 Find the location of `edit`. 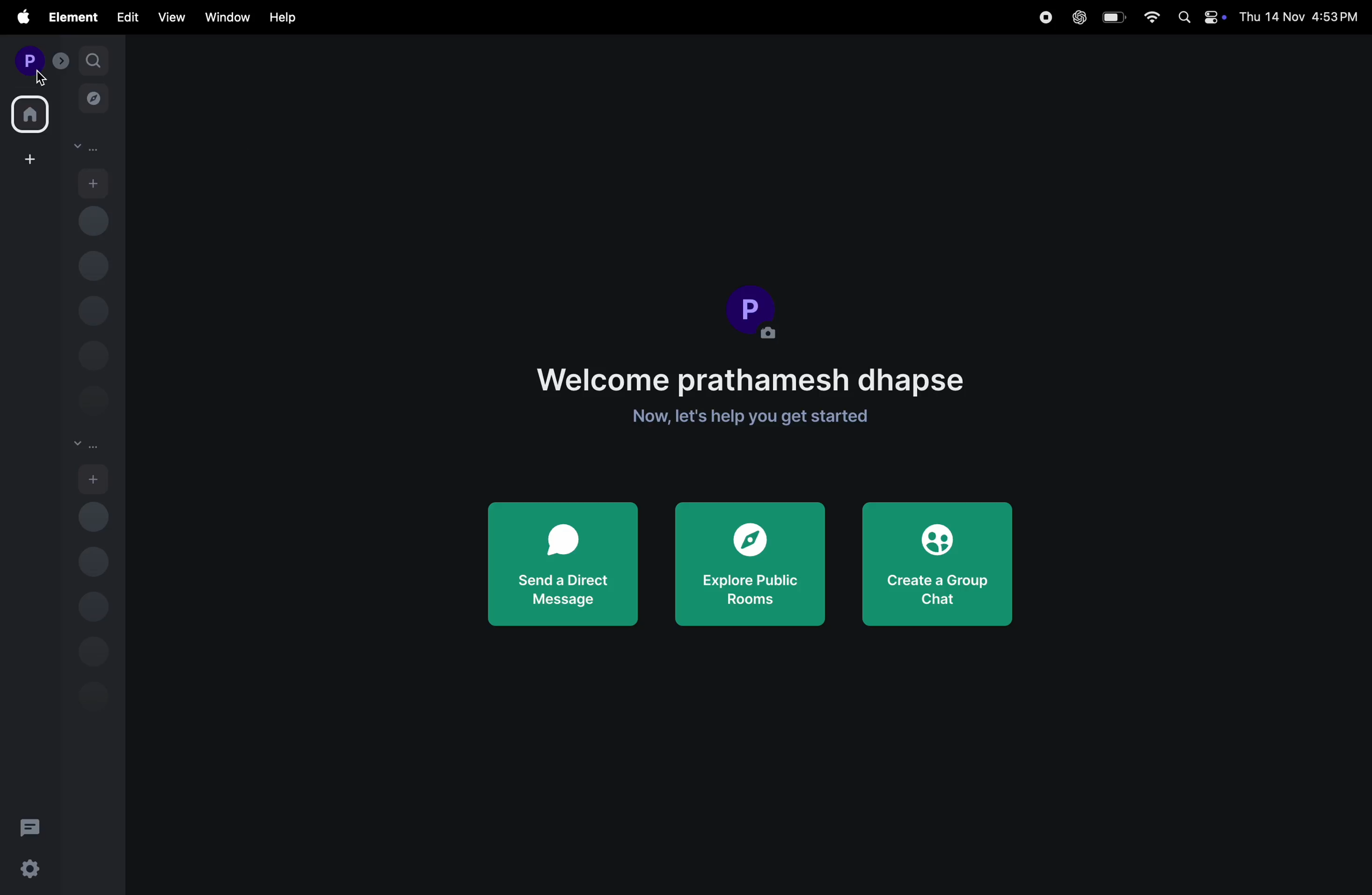

edit is located at coordinates (124, 19).